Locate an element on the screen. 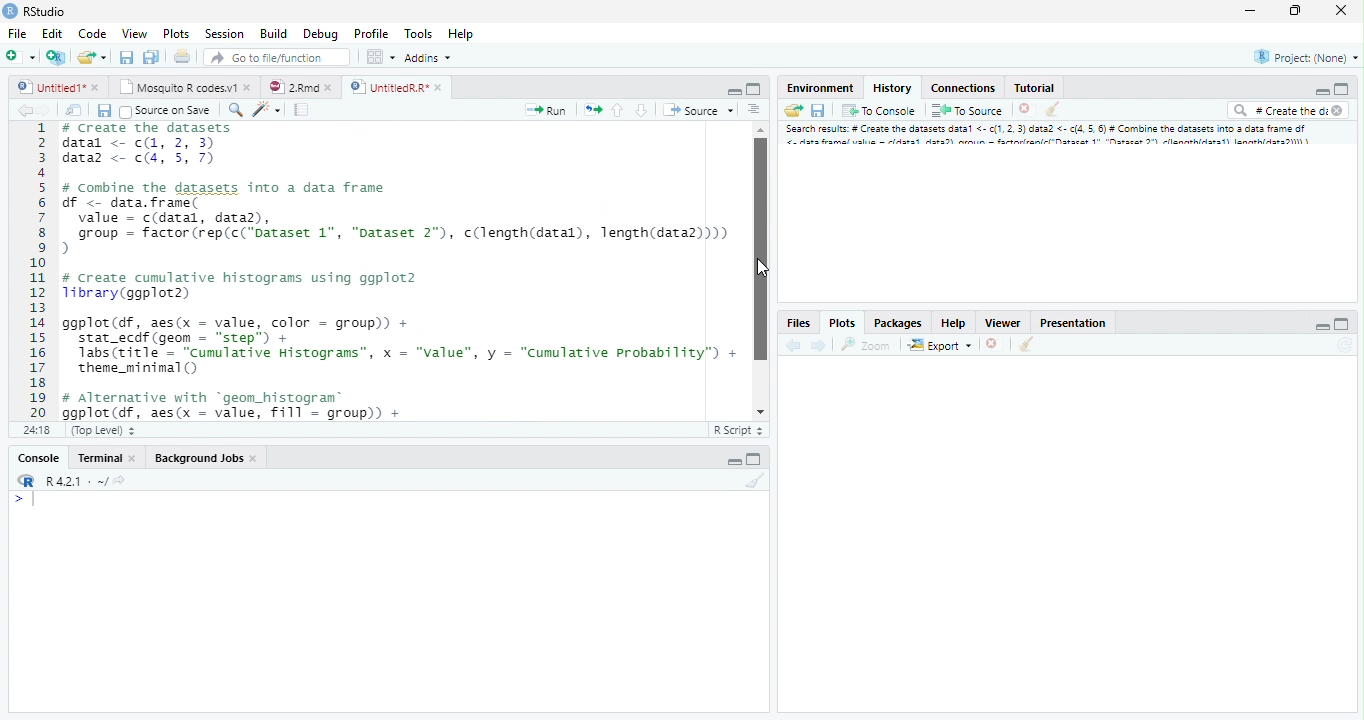  Maximize is located at coordinates (1340, 90).